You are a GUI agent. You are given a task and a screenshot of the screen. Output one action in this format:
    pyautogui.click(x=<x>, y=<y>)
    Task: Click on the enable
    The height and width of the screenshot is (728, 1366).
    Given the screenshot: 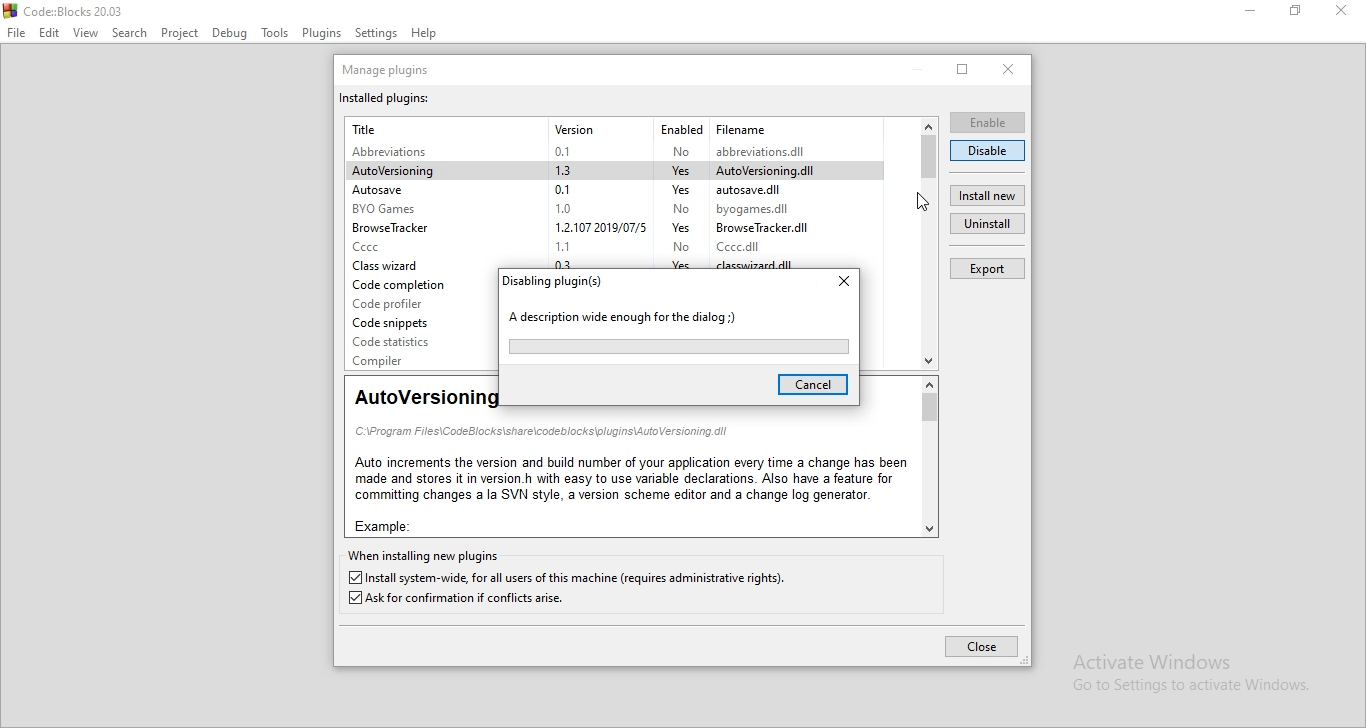 What is the action you would take?
    pyautogui.click(x=989, y=123)
    